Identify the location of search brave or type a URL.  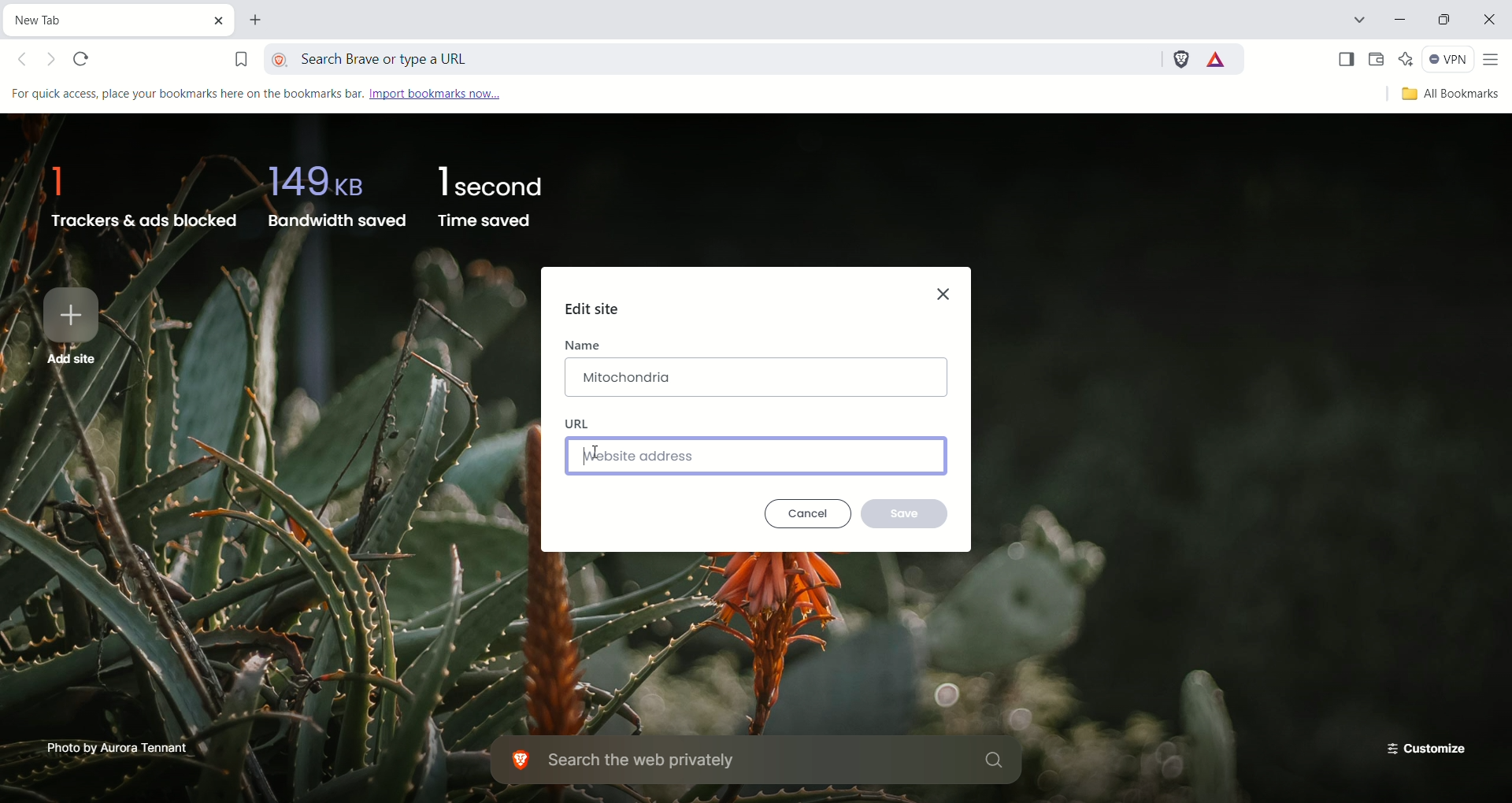
(714, 56).